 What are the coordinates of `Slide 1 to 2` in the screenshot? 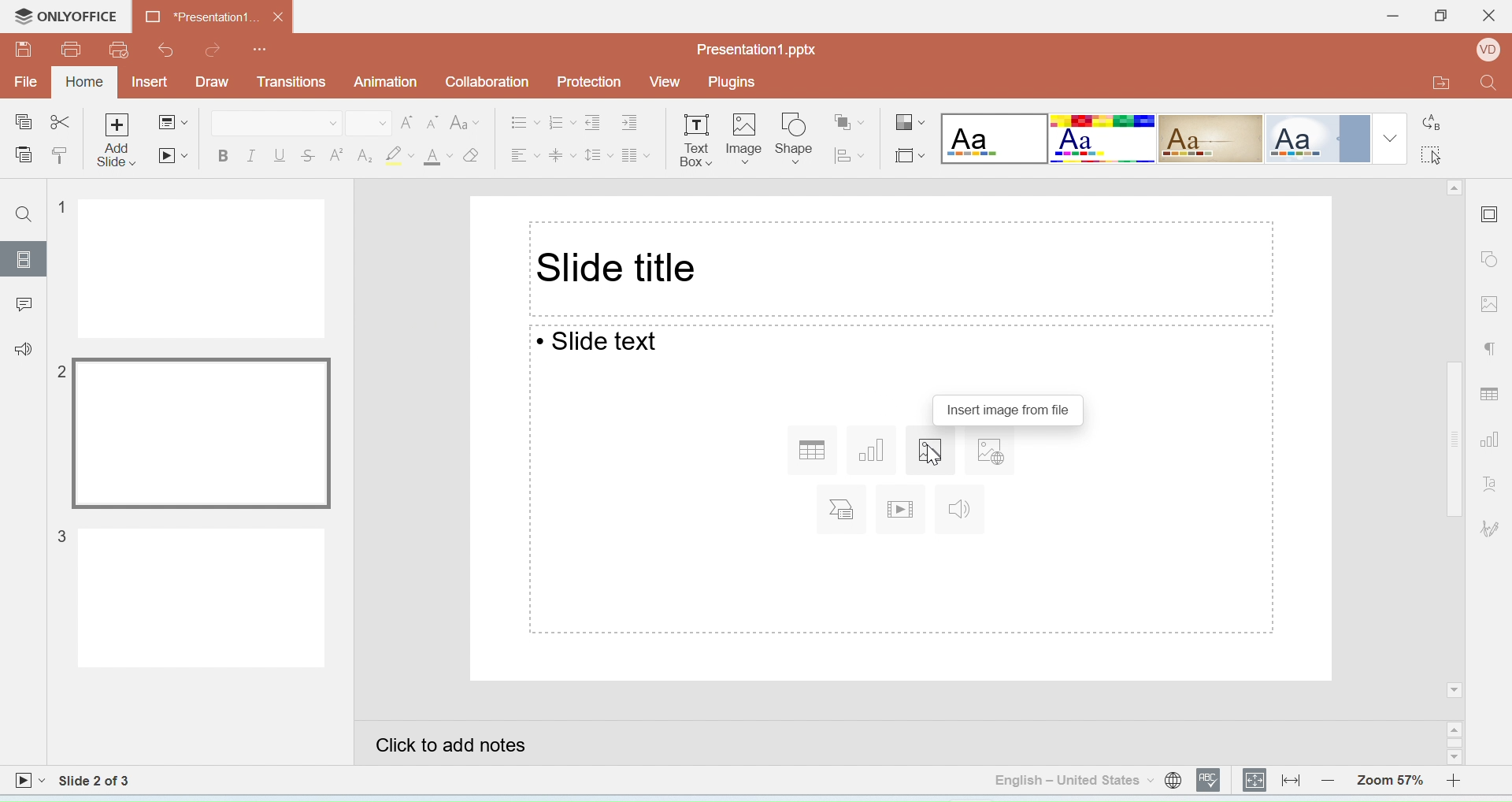 It's located at (96, 781).